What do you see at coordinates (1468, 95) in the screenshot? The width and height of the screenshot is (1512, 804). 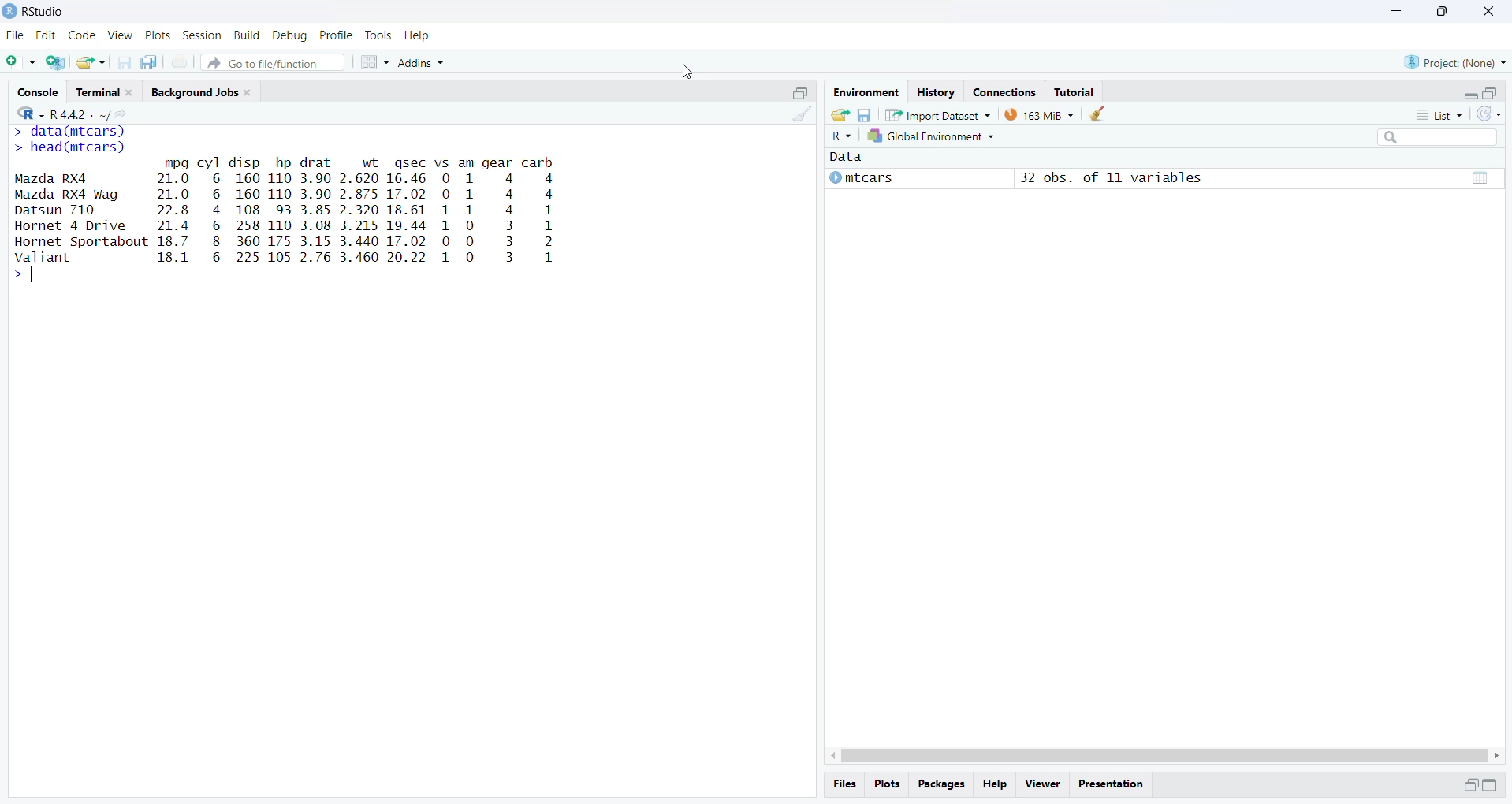 I see `expand/collapse` at bounding box center [1468, 95].